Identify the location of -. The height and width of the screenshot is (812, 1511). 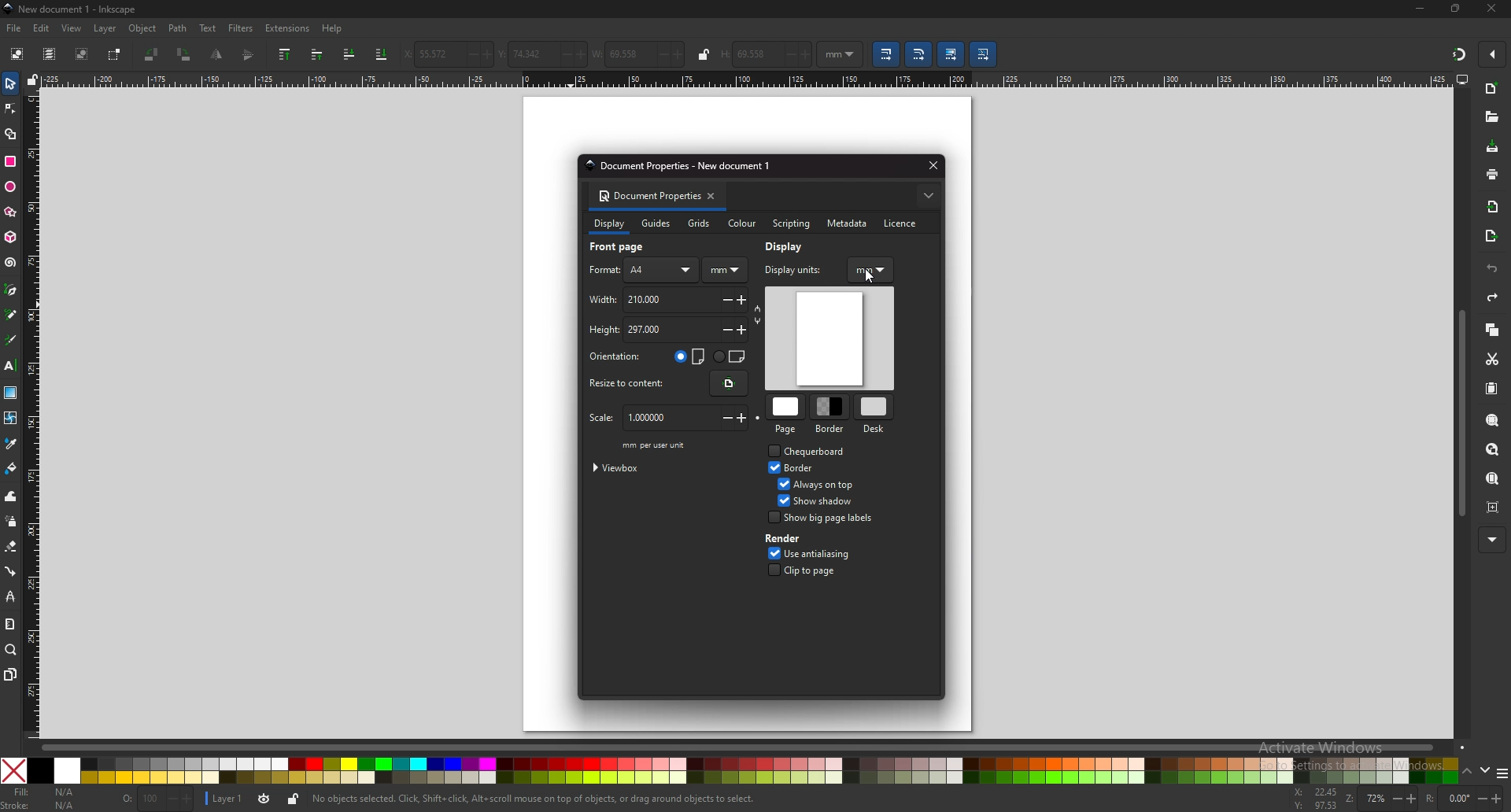
(1391, 798).